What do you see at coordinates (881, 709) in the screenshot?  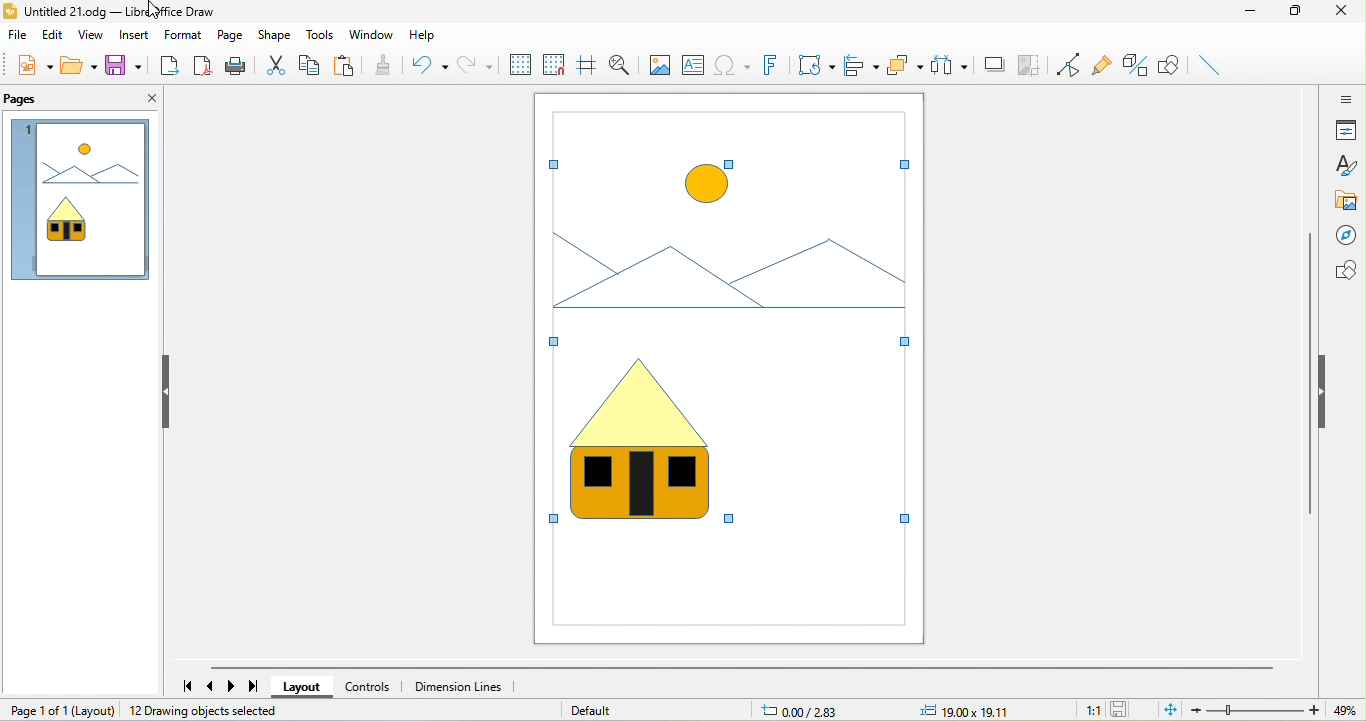 I see `cursor position  (15.79/25.08  0.00x0.00))` at bounding box center [881, 709].